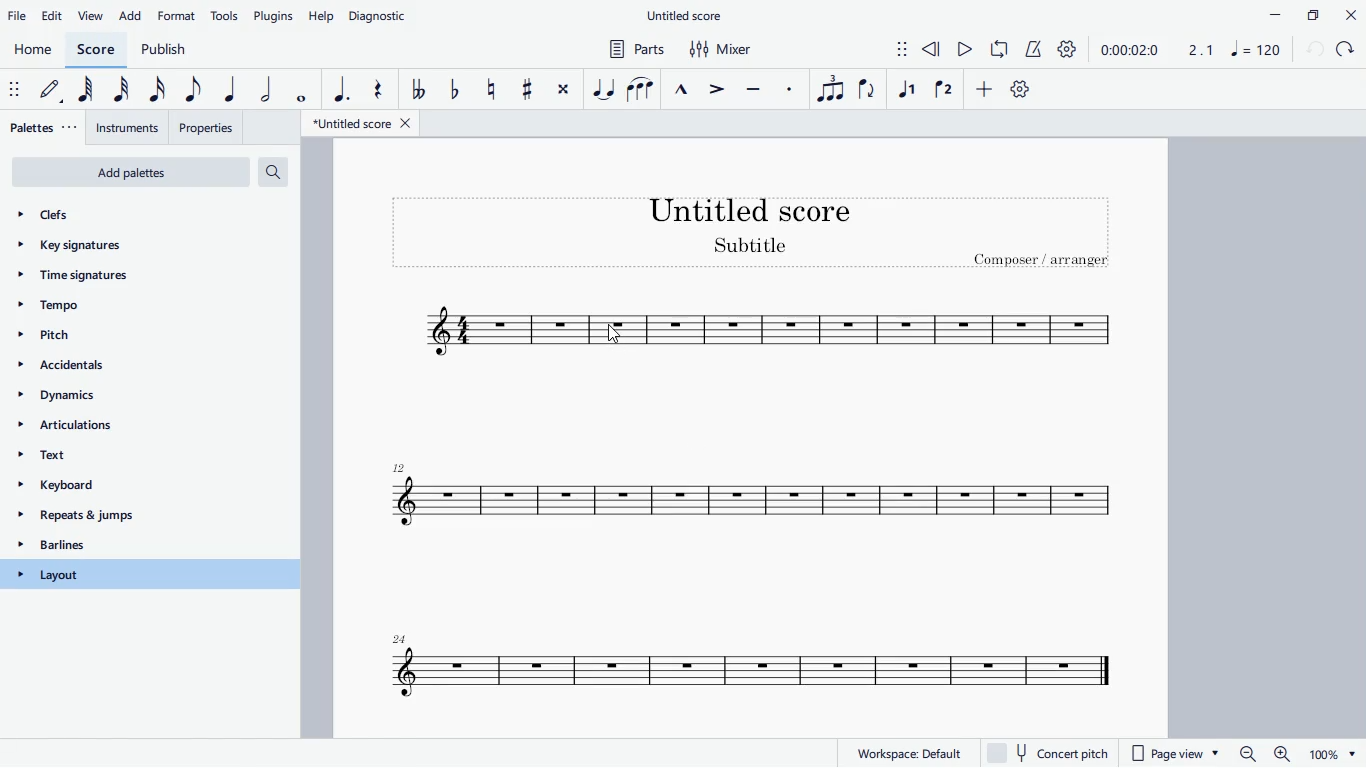  Describe the element at coordinates (192, 91) in the screenshot. I see `eighth note` at that location.